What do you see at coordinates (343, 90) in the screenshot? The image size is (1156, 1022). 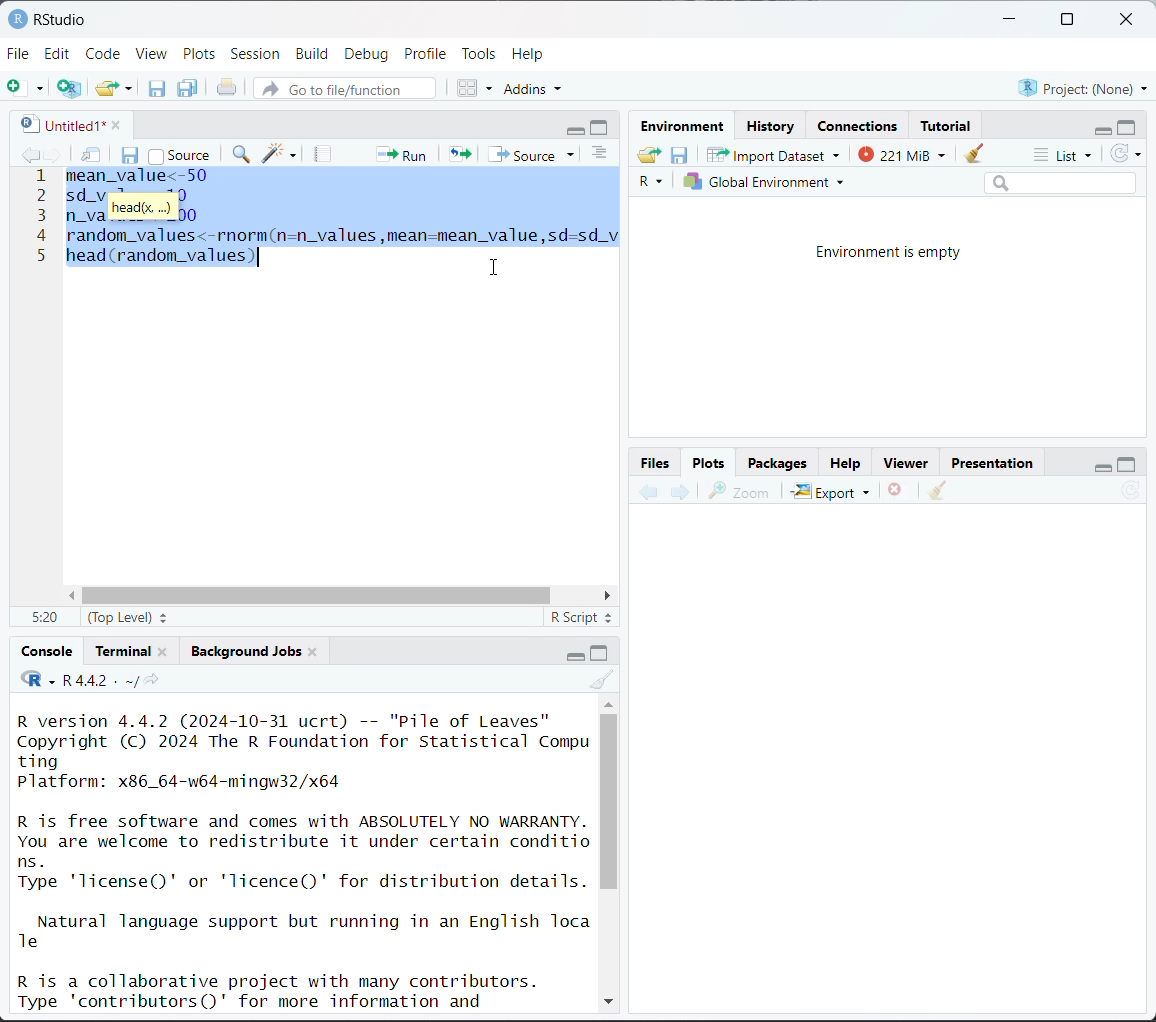 I see `go to file/function` at bounding box center [343, 90].